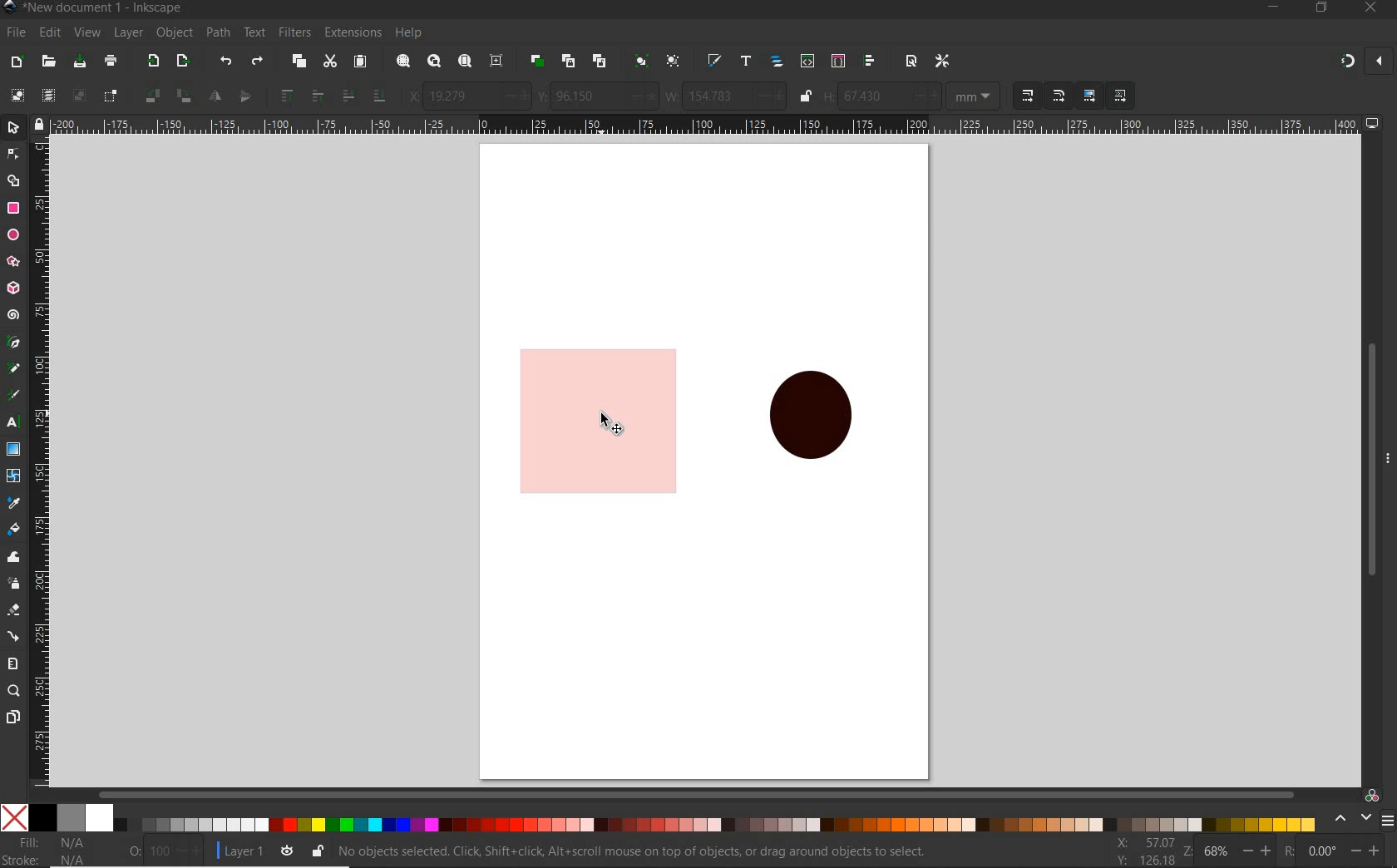 The height and width of the screenshot is (868, 1397). Describe the element at coordinates (12, 559) in the screenshot. I see `tweak tool` at that location.